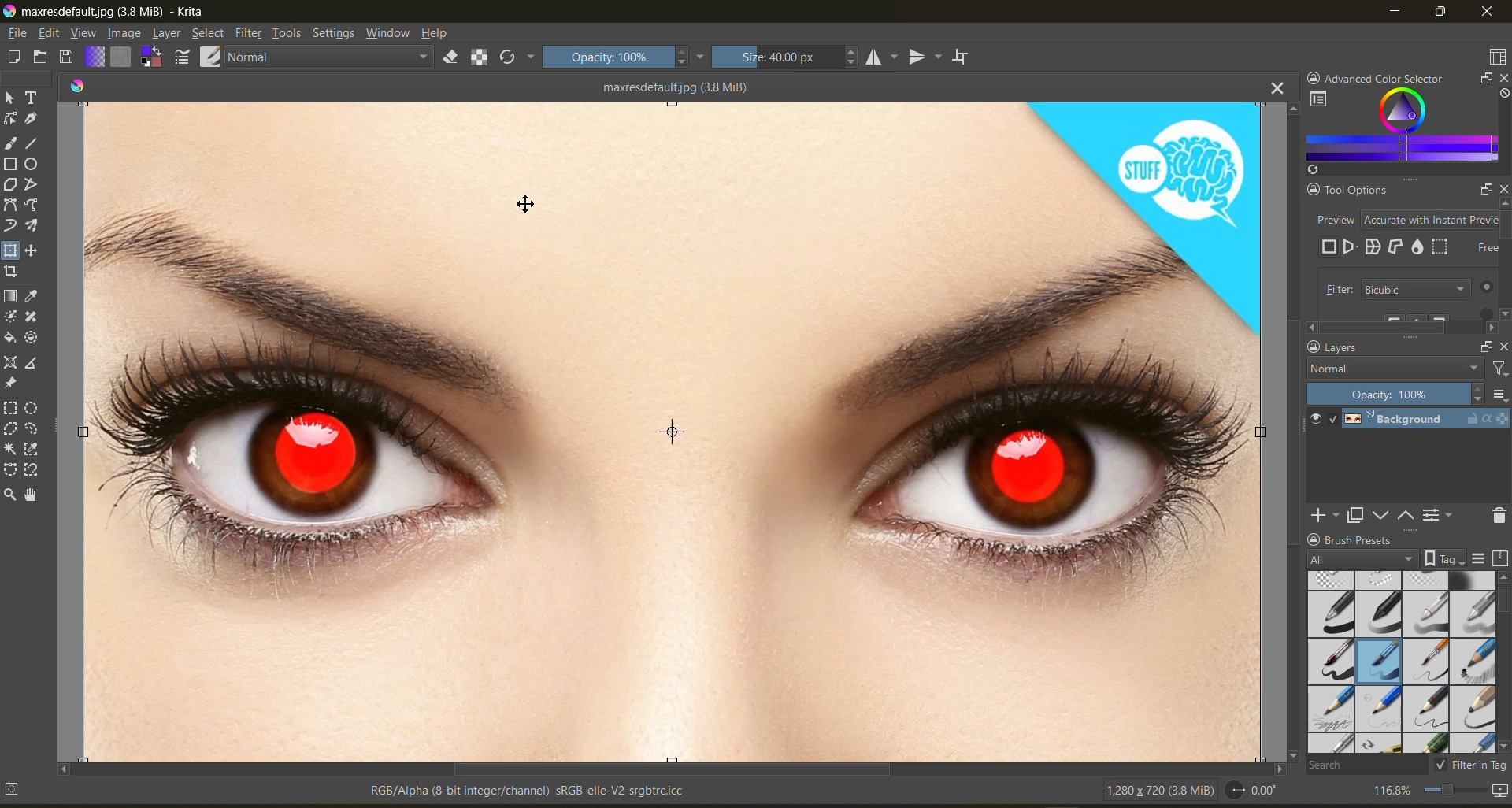  I want to click on horizontal mirror tool, so click(881, 57).